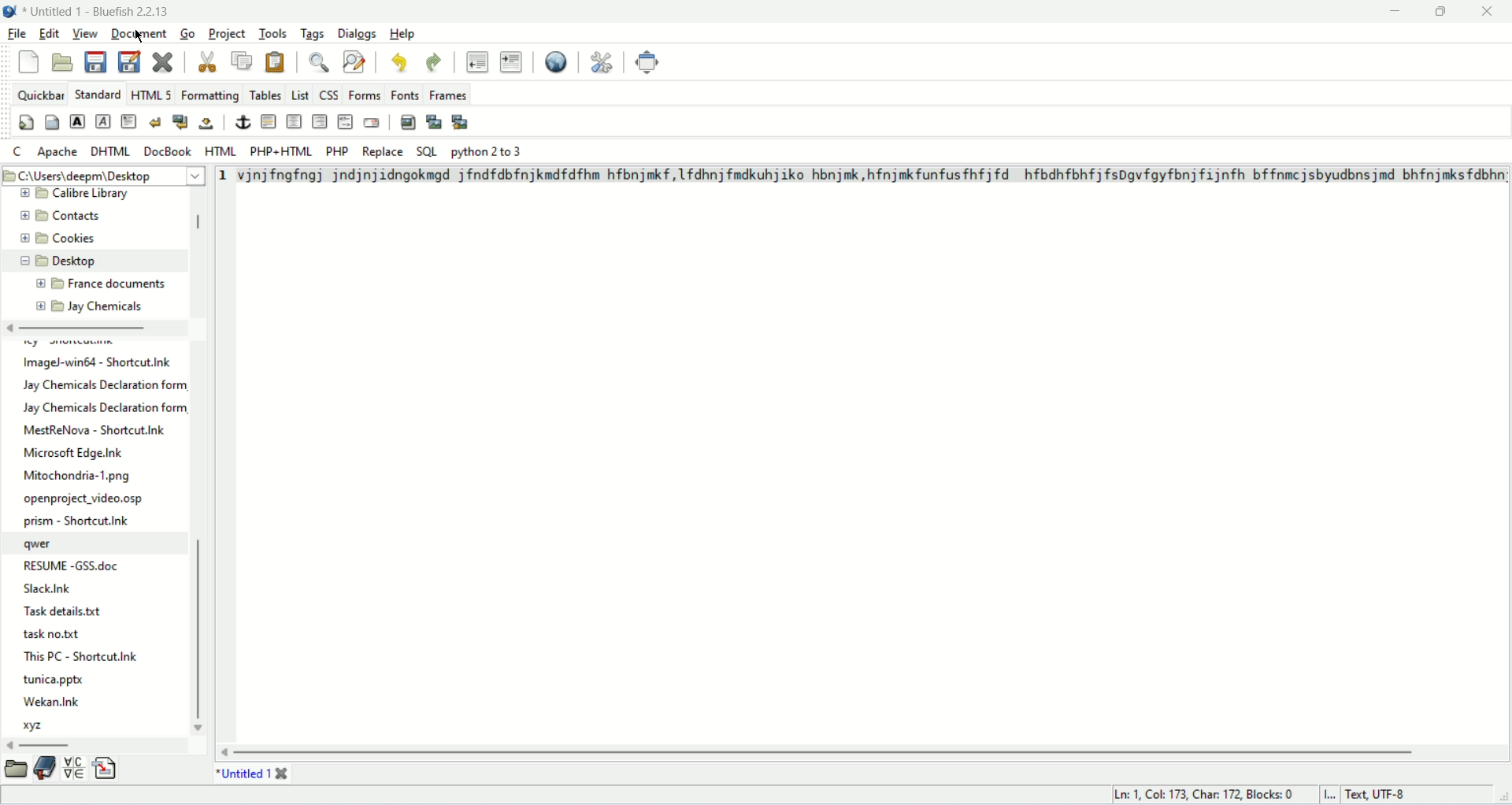 This screenshot has height=805, width=1512. I want to click on cut, so click(206, 61).